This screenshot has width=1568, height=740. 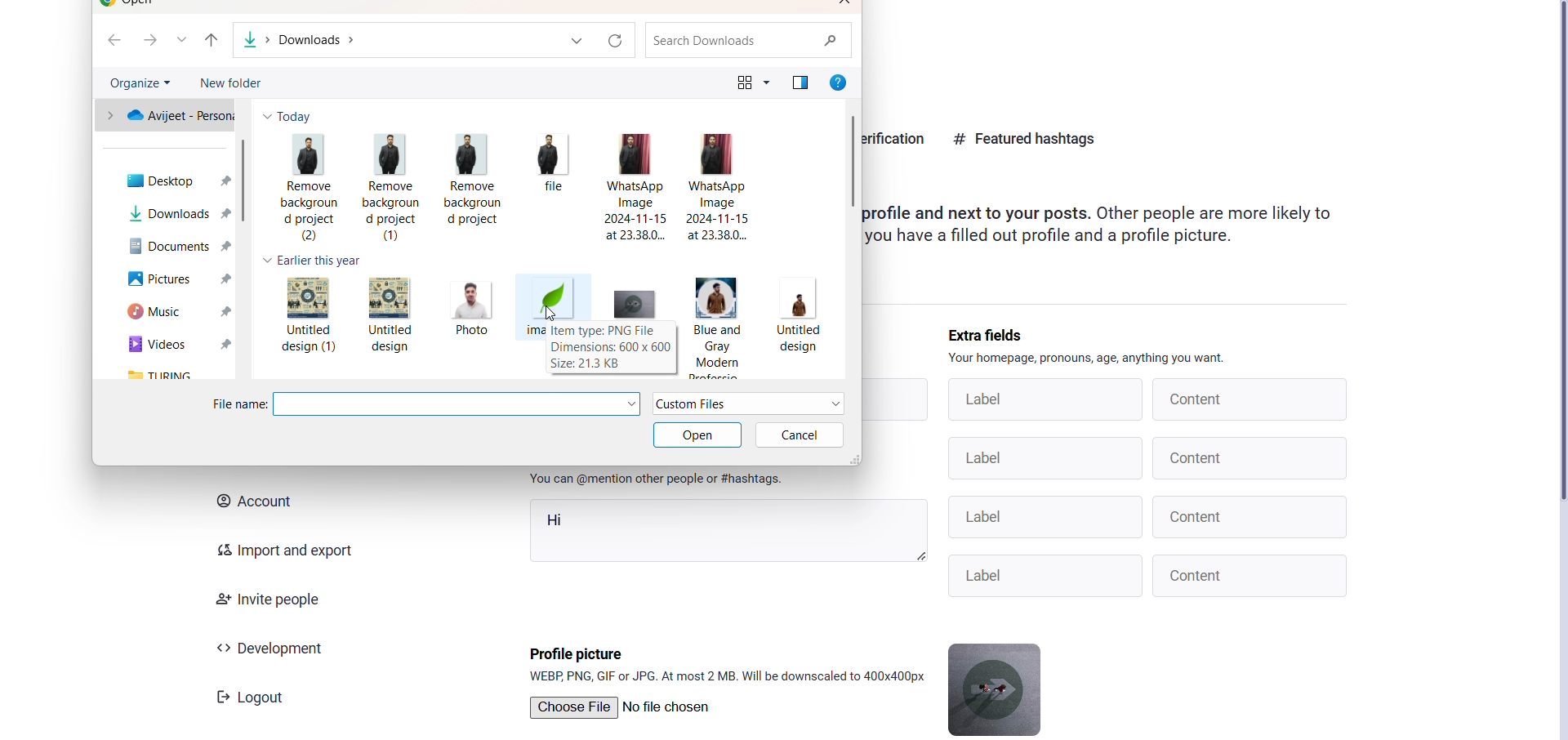 What do you see at coordinates (553, 182) in the screenshot?
I see `file` at bounding box center [553, 182].